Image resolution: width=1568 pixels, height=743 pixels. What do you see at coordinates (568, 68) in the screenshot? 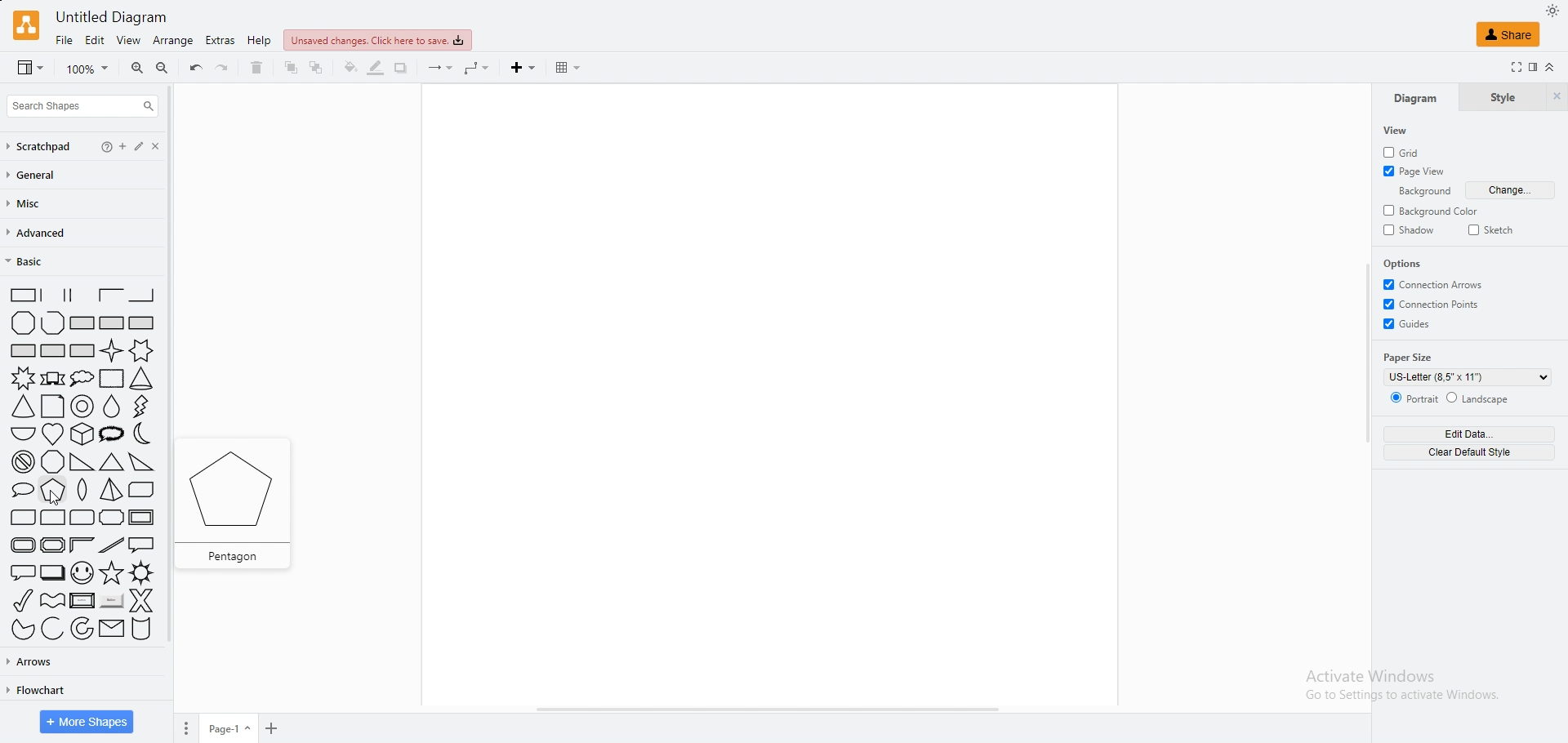
I see `table` at bounding box center [568, 68].